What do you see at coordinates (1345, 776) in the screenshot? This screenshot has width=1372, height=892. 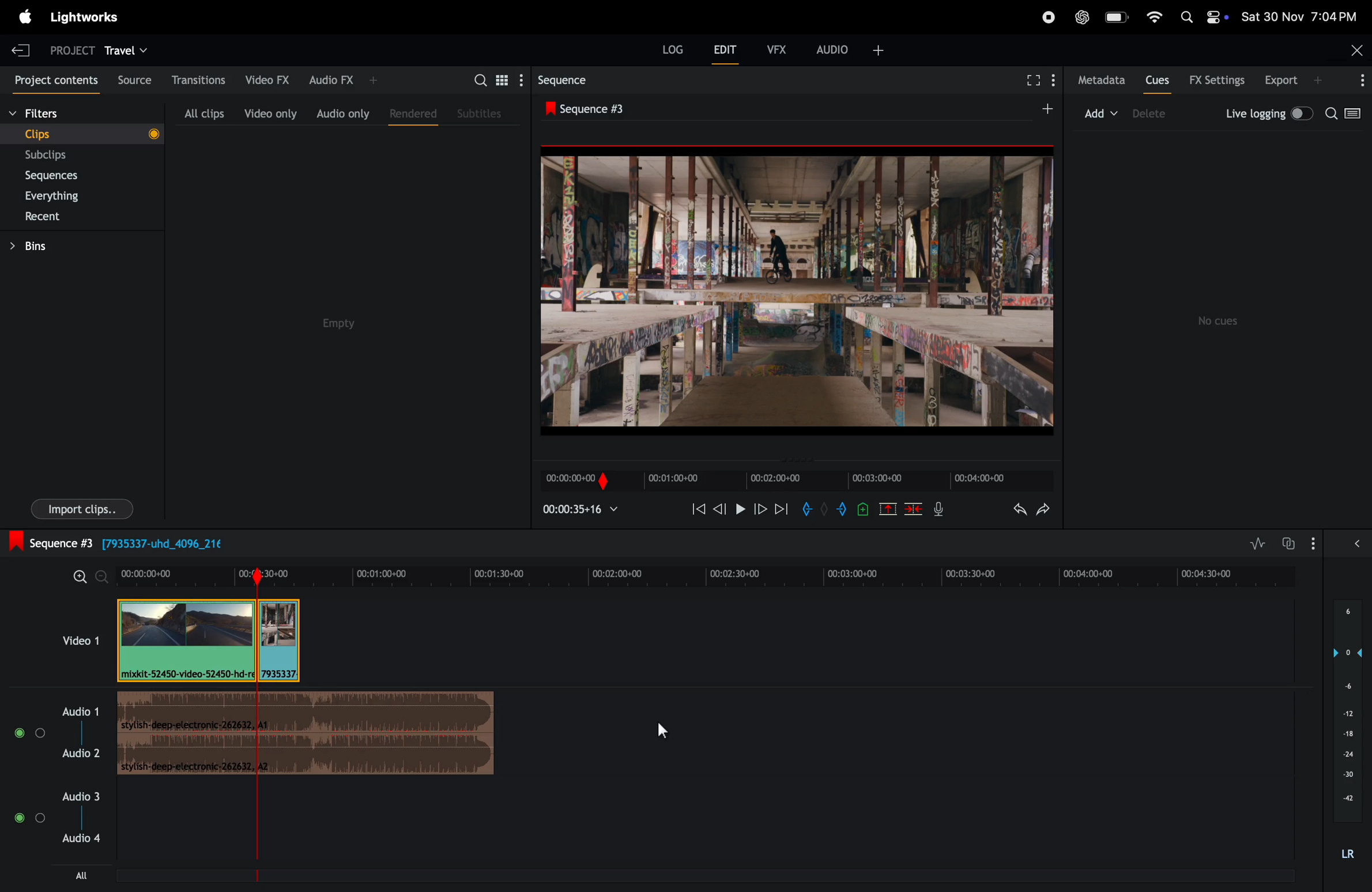 I see `-30 (layers)` at bounding box center [1345, 776].